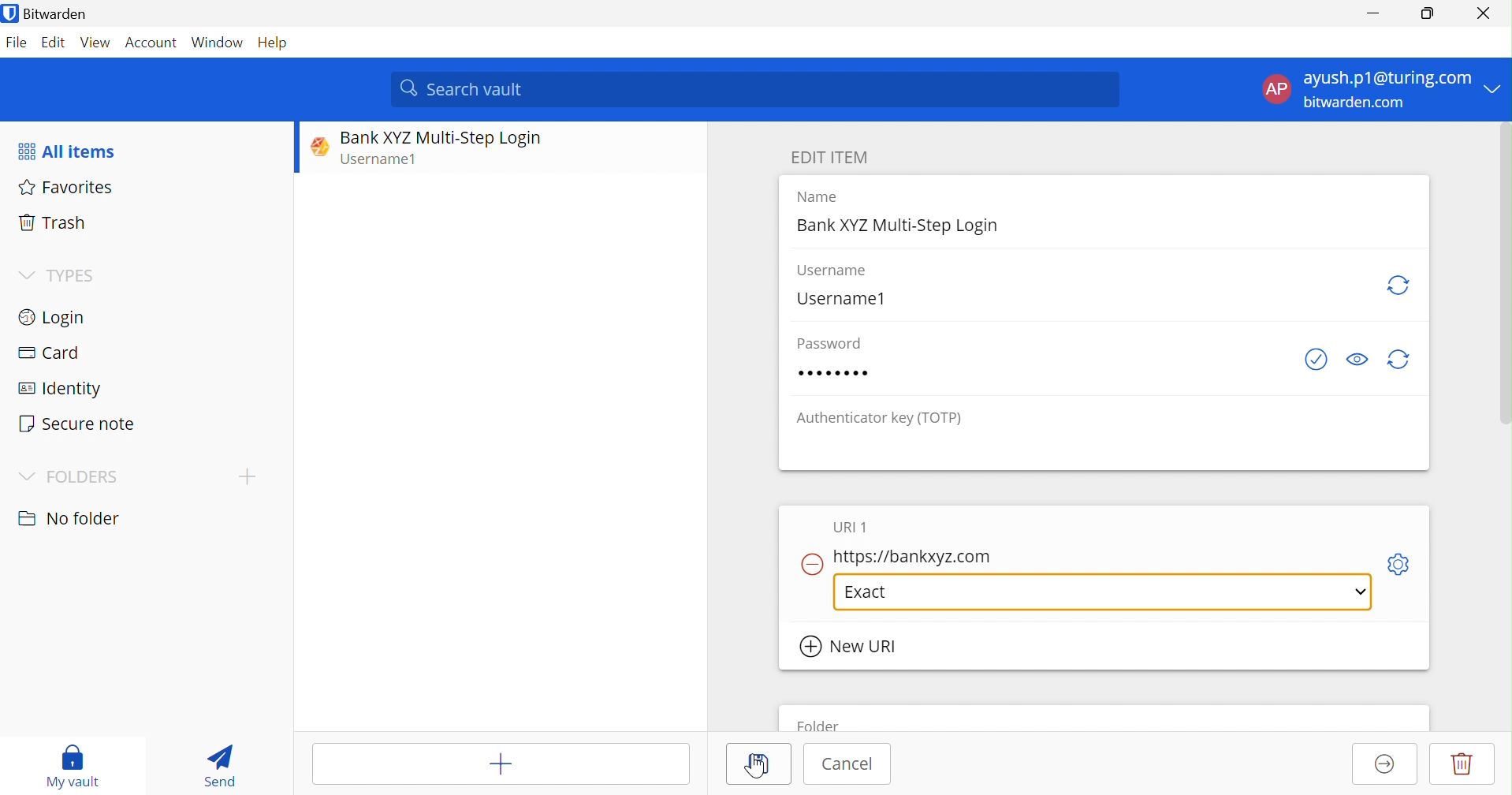 This screenshot has height=795, width=1512. Describe the element at coordinates (1402, 360) in the screenshot. I see `Regenerate password` at that location.